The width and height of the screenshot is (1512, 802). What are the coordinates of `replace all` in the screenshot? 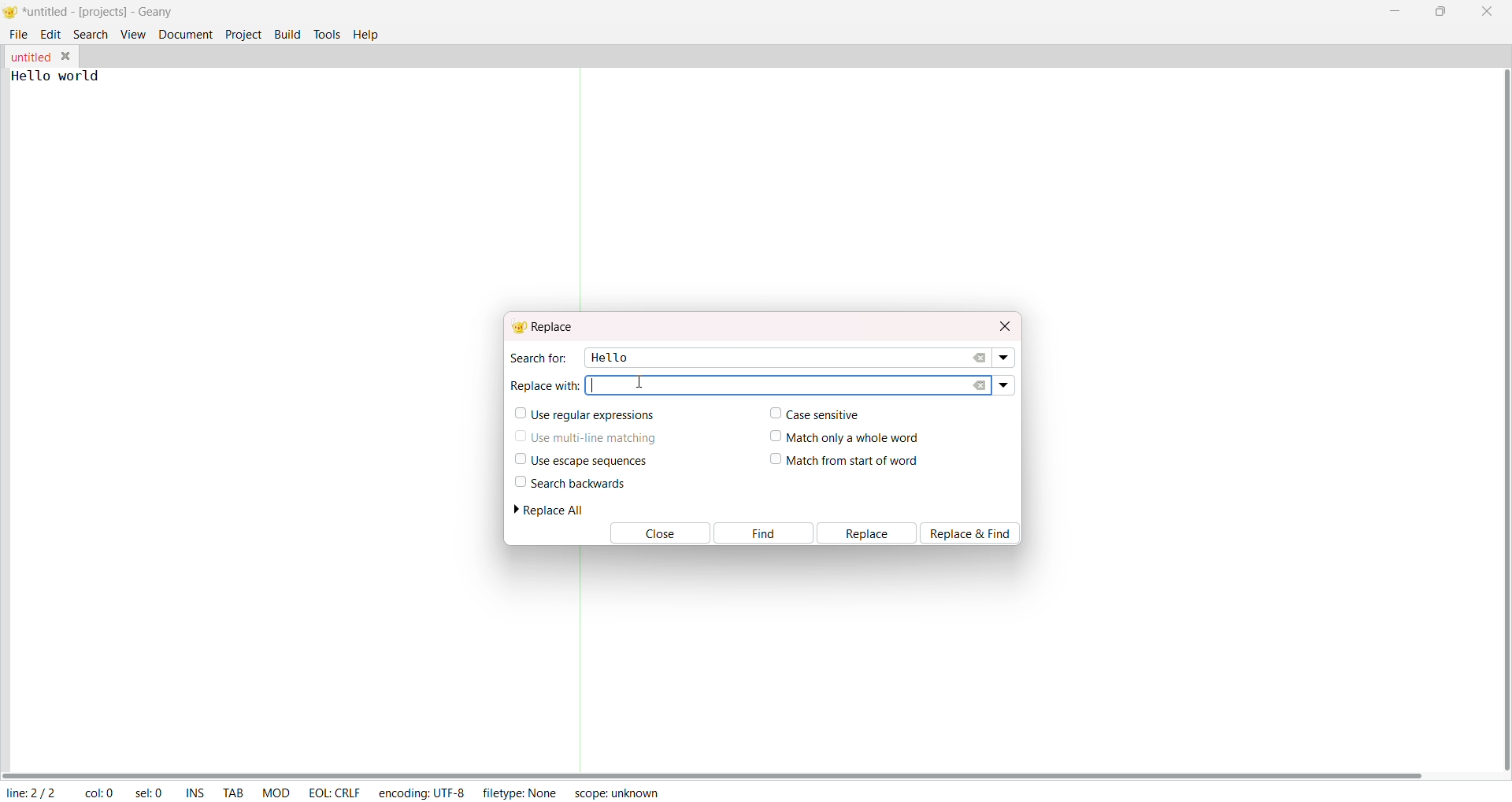 It's located at (555, 510).